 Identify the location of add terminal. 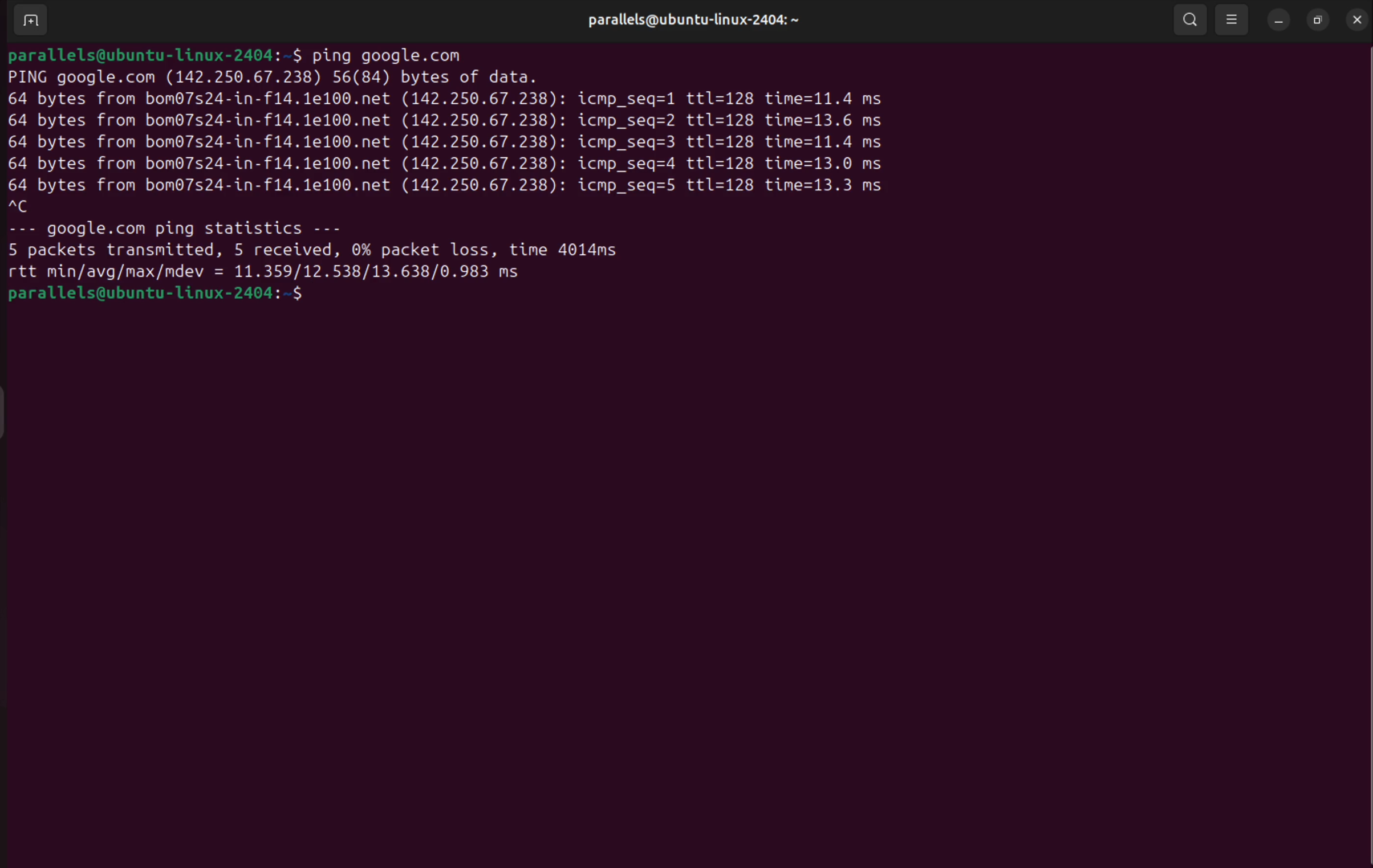
(28, 21).